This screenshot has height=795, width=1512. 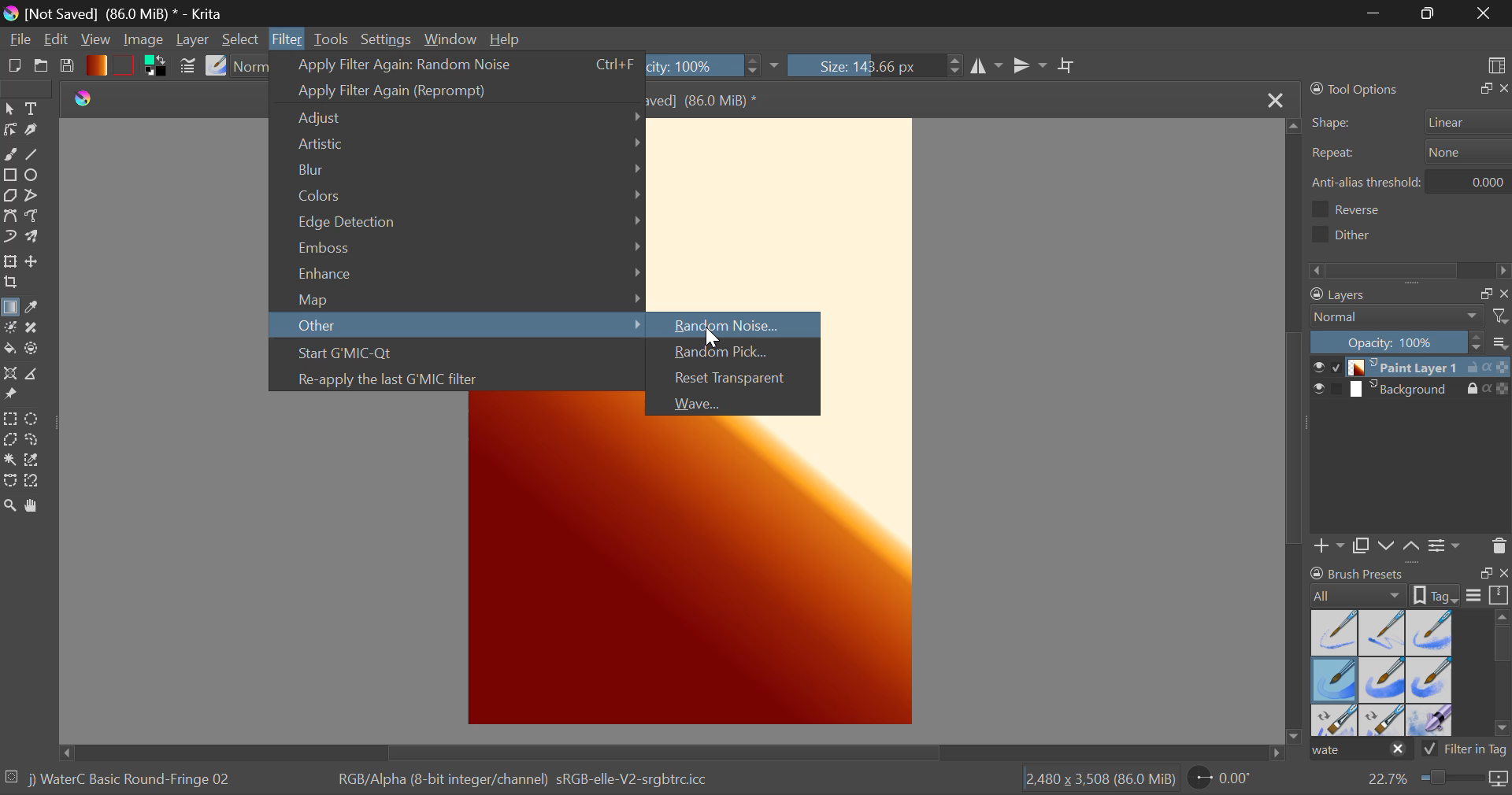 I want to click on Rectangular Selection, so click(x=9, y=420).